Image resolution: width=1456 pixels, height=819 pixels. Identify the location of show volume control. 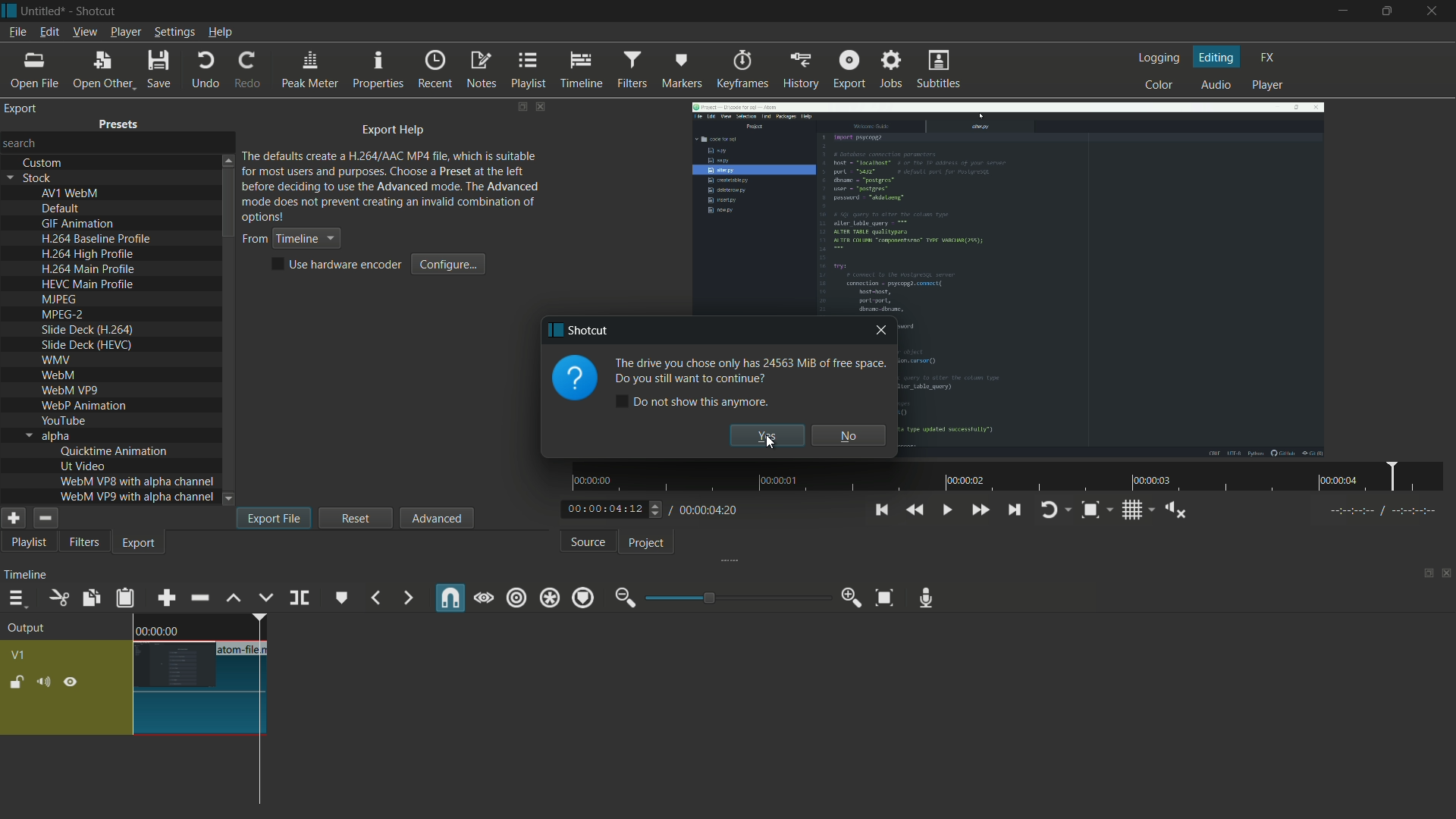
(1175, 511).